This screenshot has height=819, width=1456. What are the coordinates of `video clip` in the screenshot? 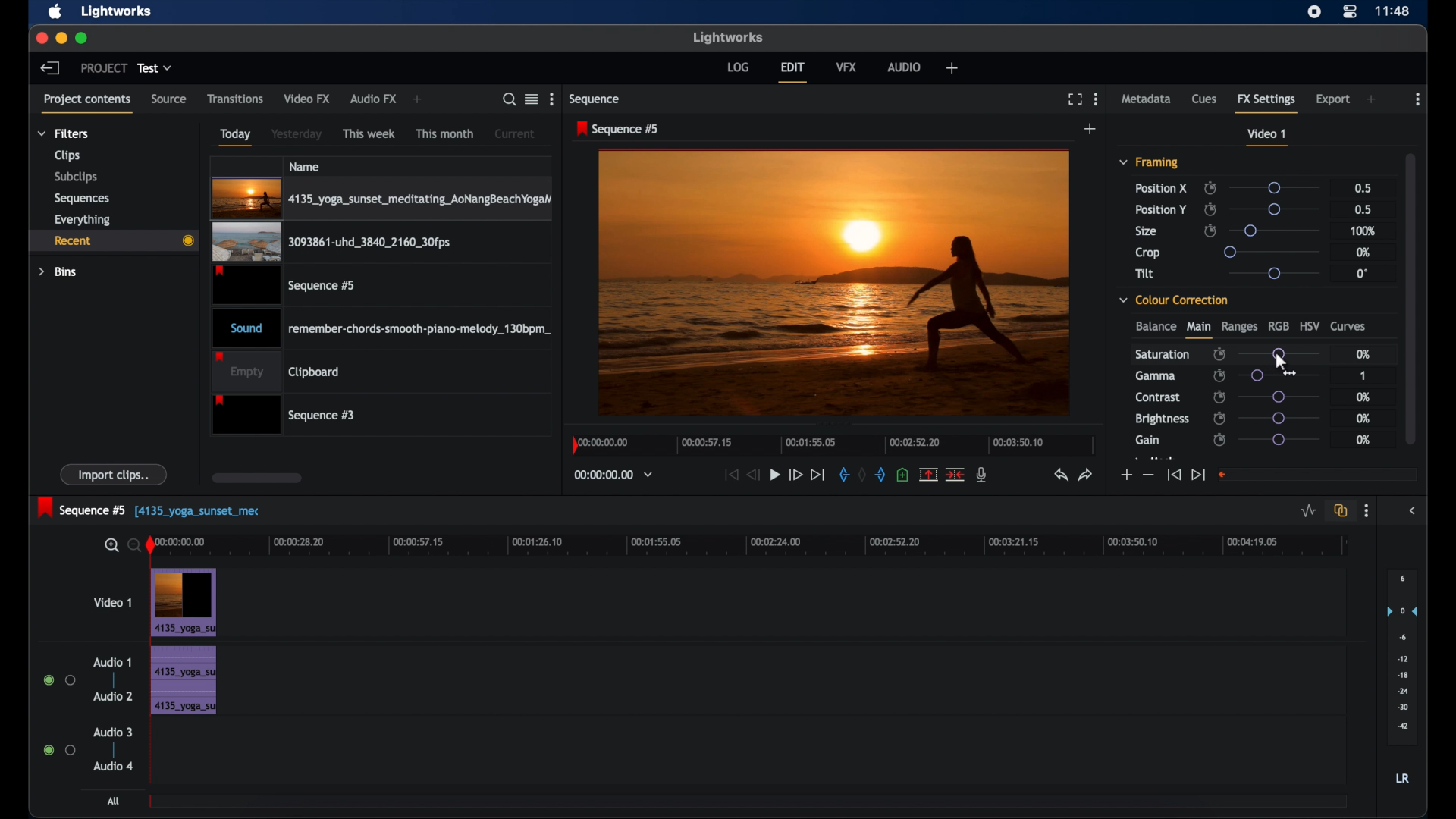 It's located at (331, 243).